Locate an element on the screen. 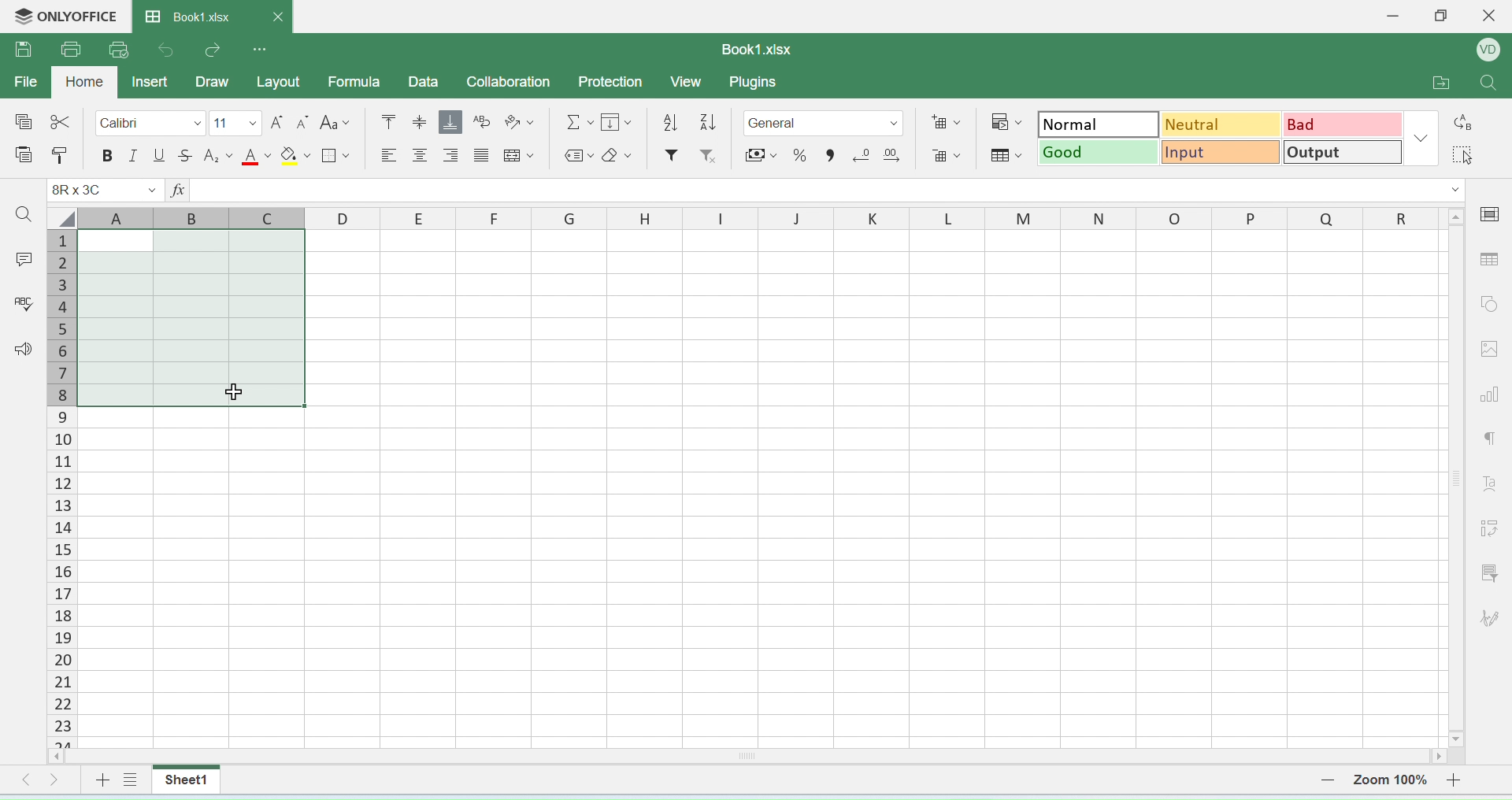   is located at coordinates (258, 157).